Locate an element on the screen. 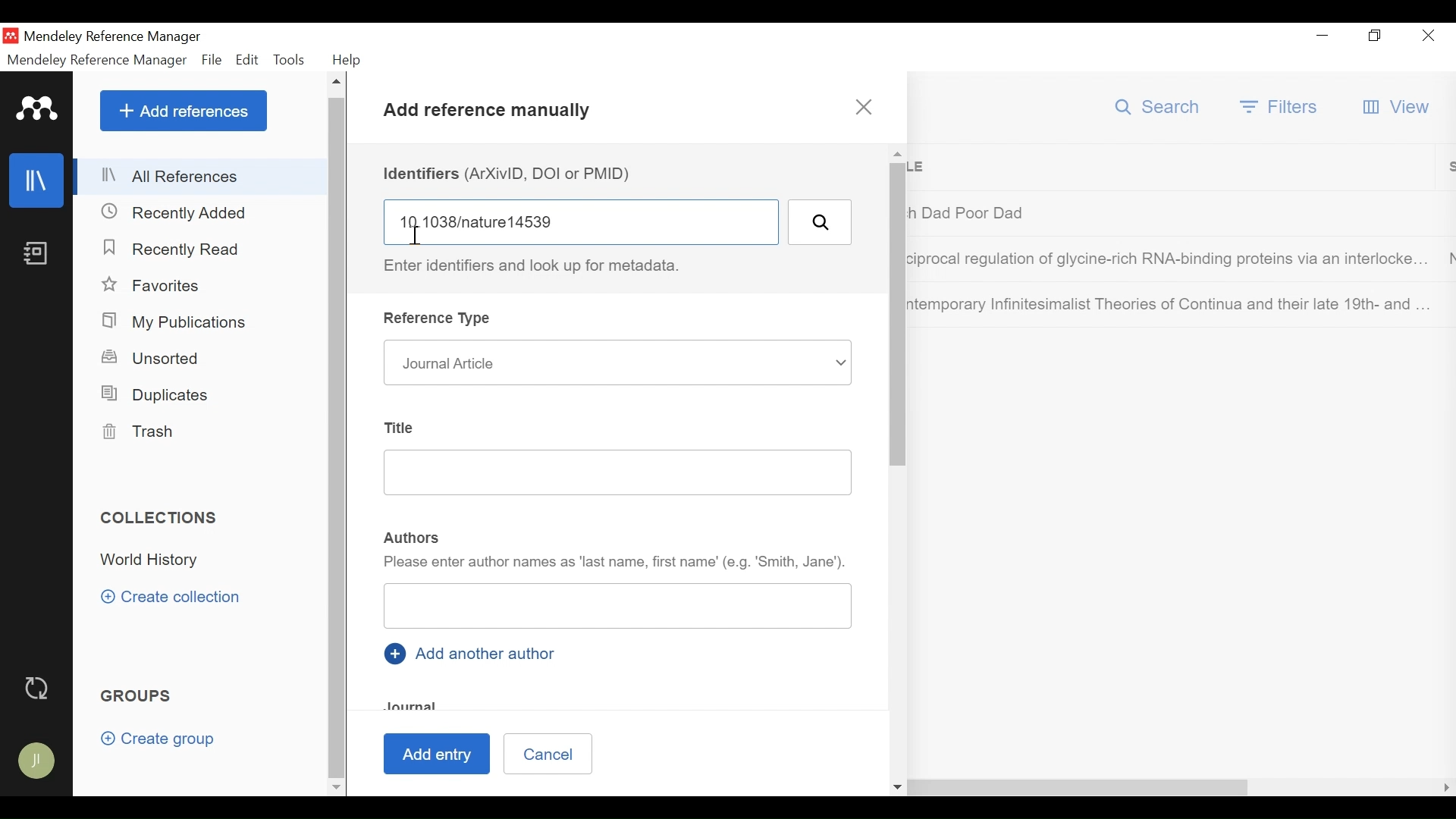 This screenshot has width=1456, height=819. Notees is located at coordinates (39, 253).